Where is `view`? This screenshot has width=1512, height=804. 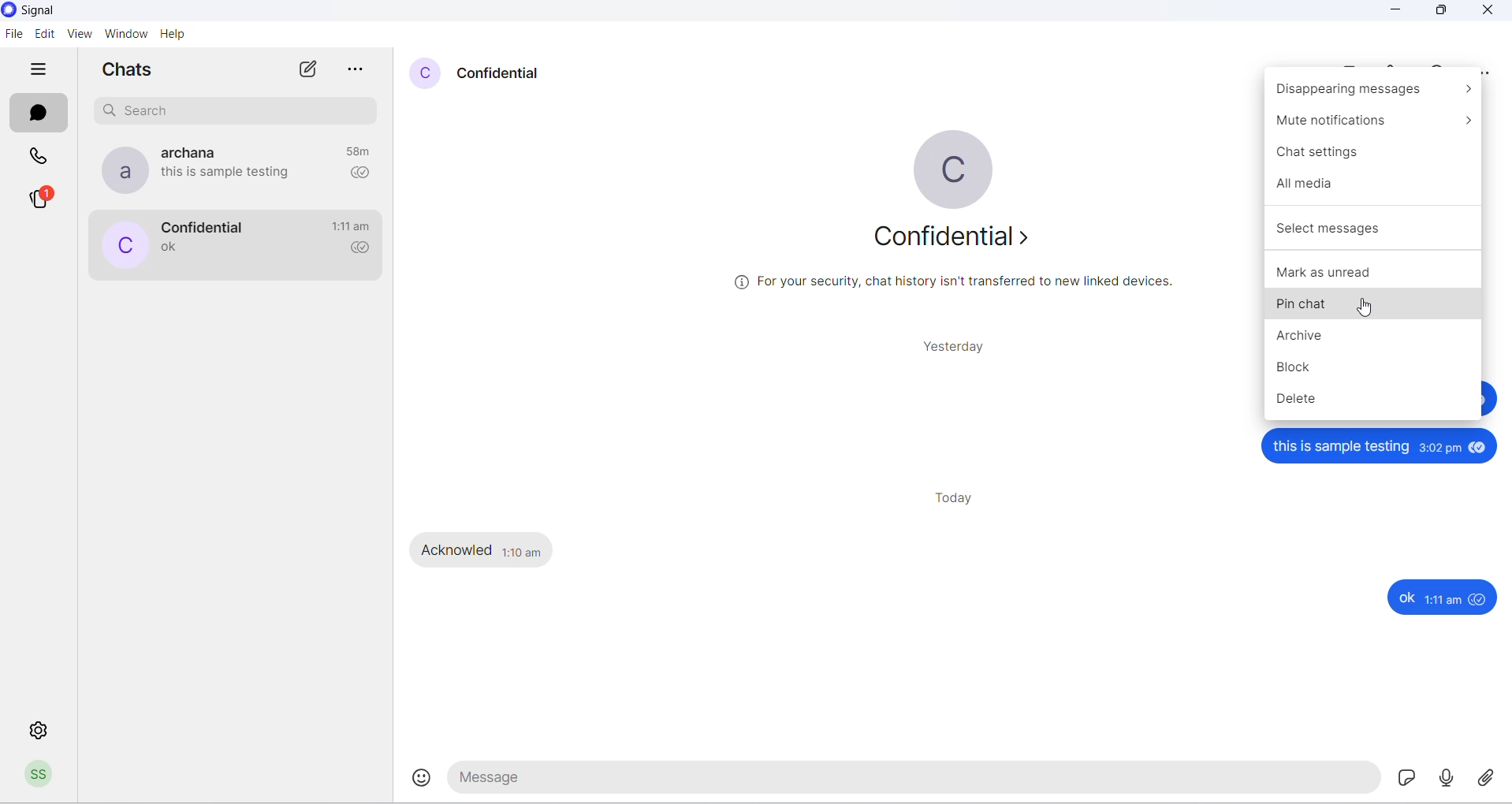 view is located at coordinates (80, 35).